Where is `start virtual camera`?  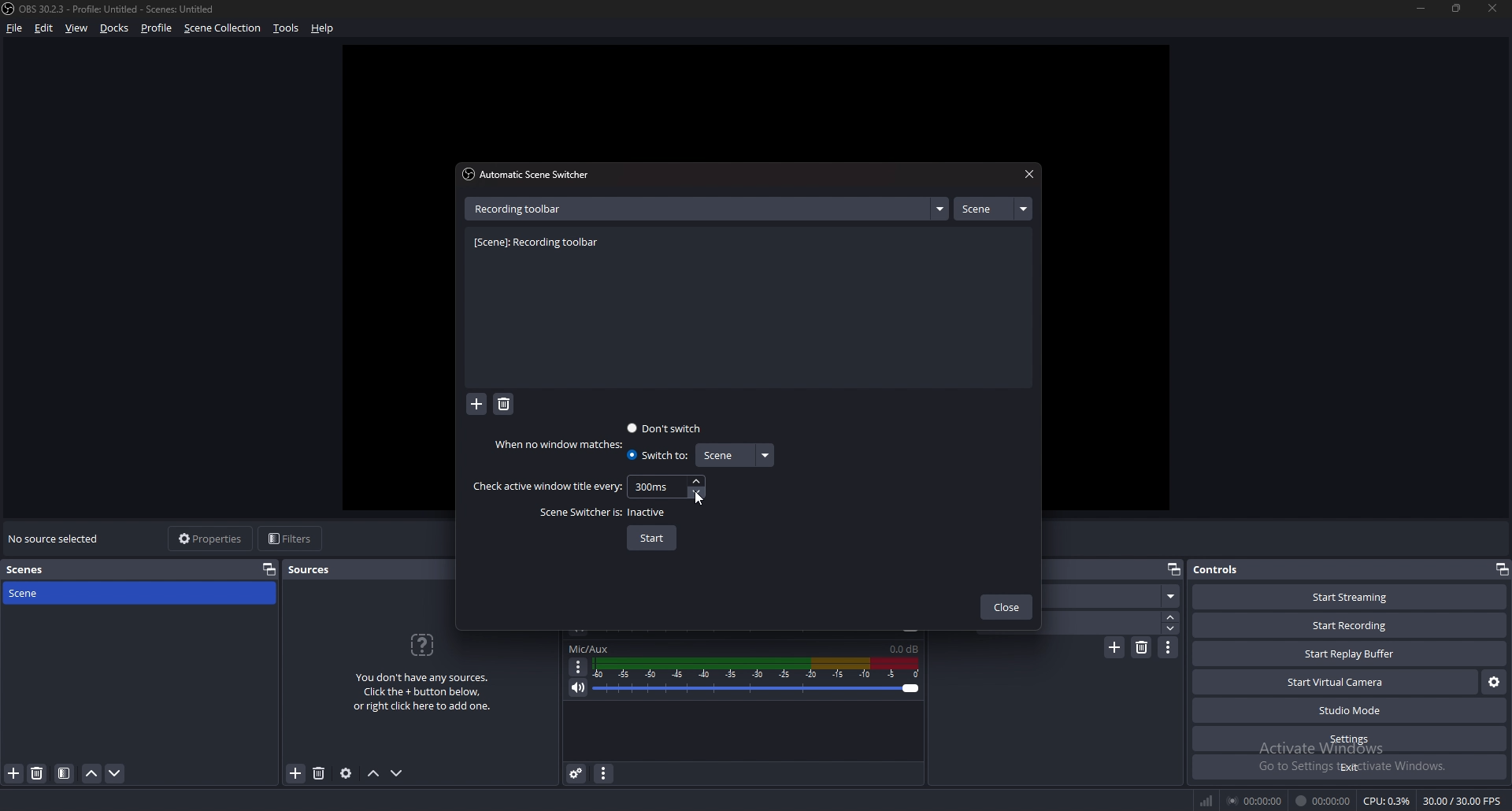
start virtual camera is located at coordinates (1337, 682).